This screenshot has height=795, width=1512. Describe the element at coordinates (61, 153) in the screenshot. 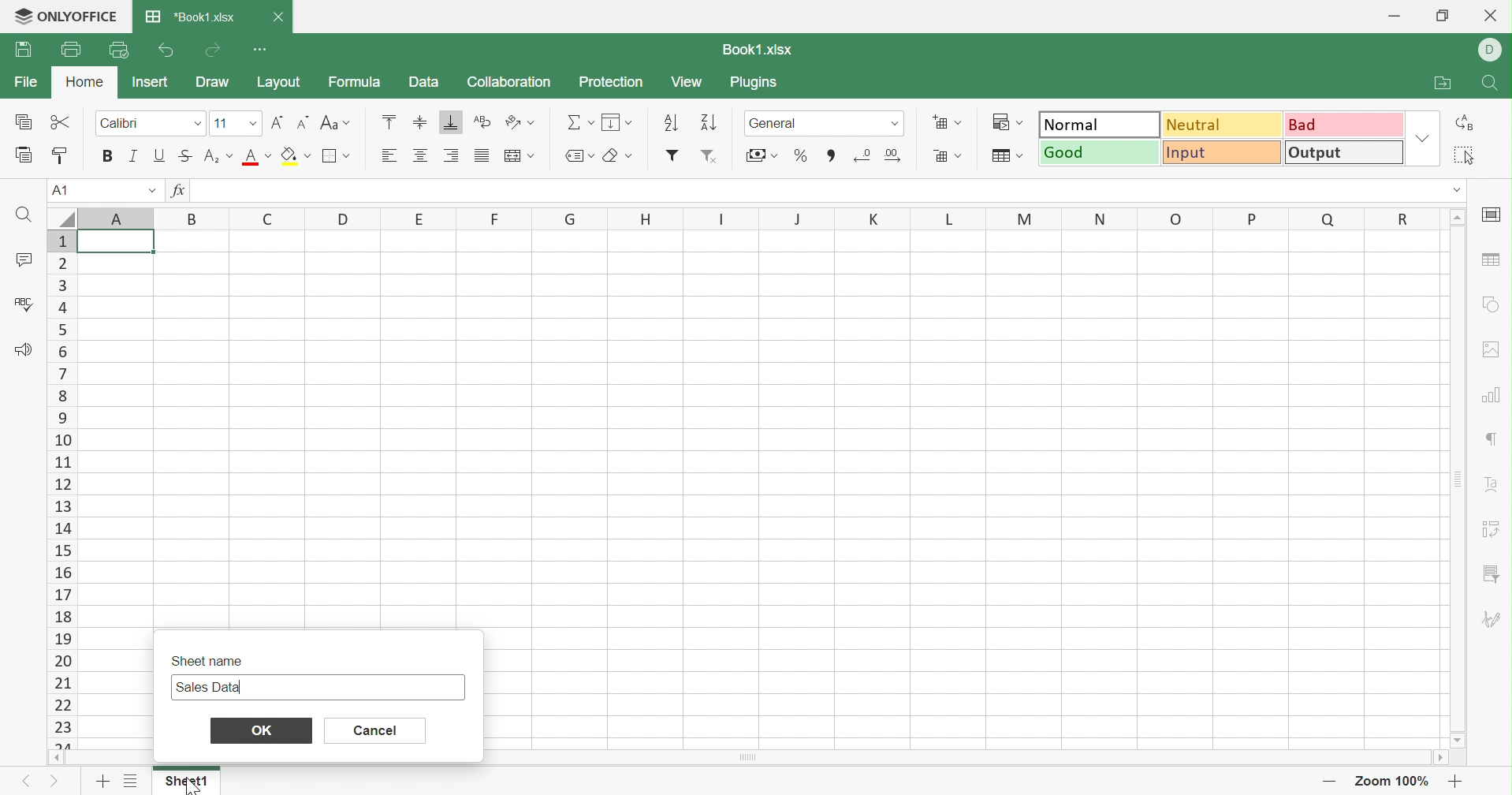

I see `Copy Style` at that location.